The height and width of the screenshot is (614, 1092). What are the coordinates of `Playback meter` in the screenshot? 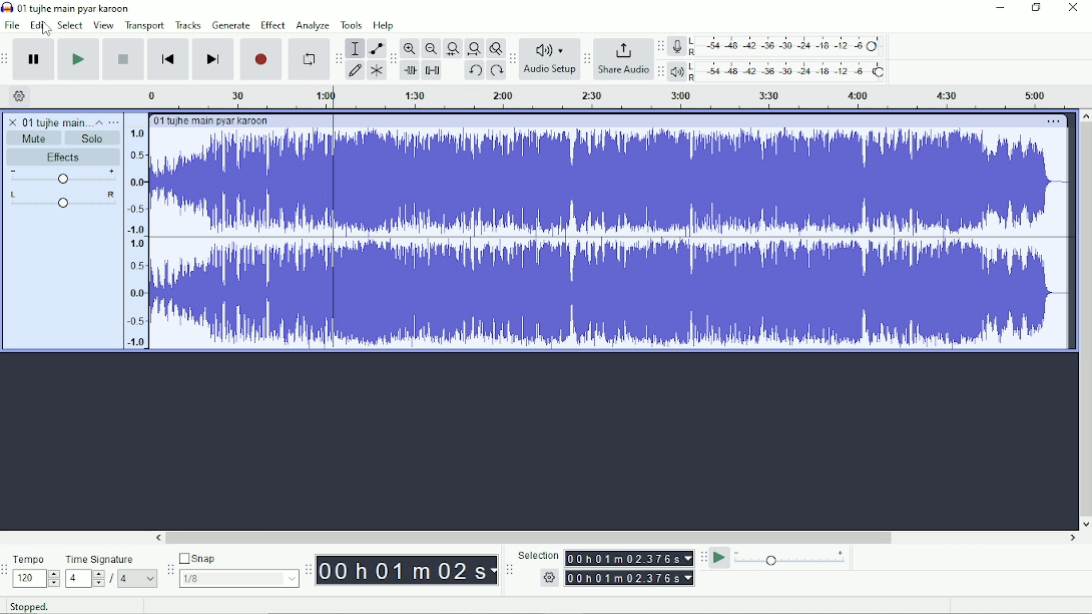 It's located at (779, 71).